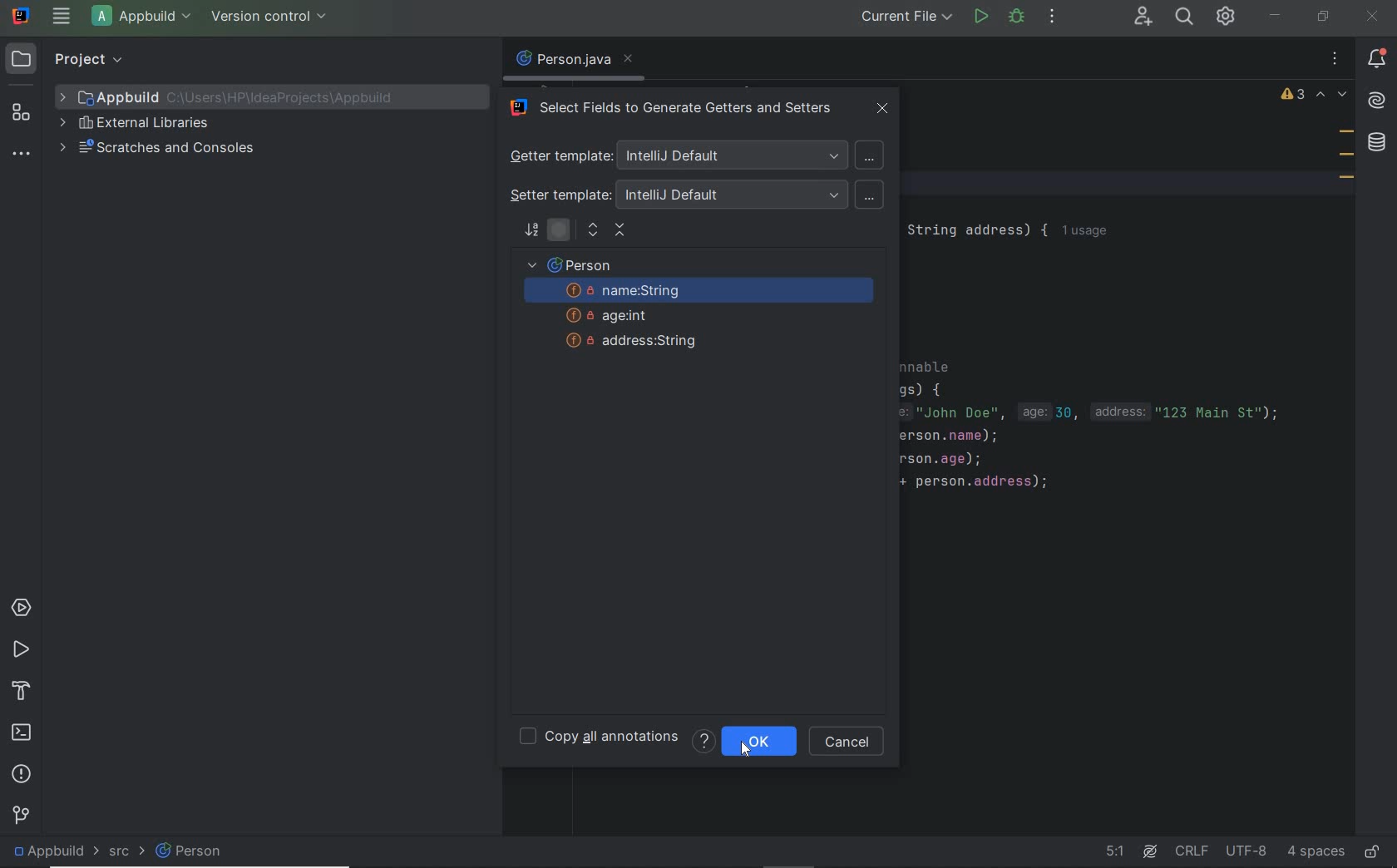 The height and width of the screenshot is (868, 1397). Describe the element at coordinates (1186, 18) in the screenshot. I see `search everywhere` at that location.